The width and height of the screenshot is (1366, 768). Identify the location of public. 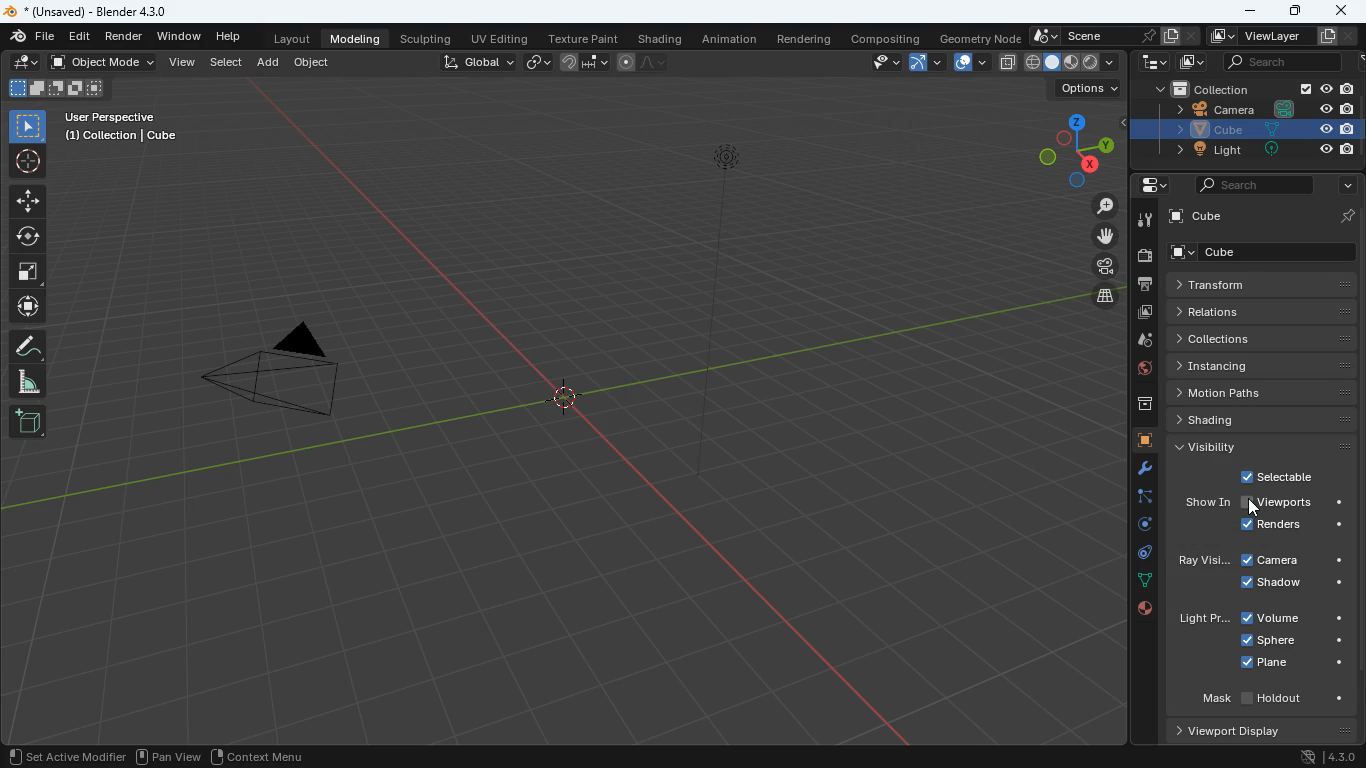
(1136, 371).